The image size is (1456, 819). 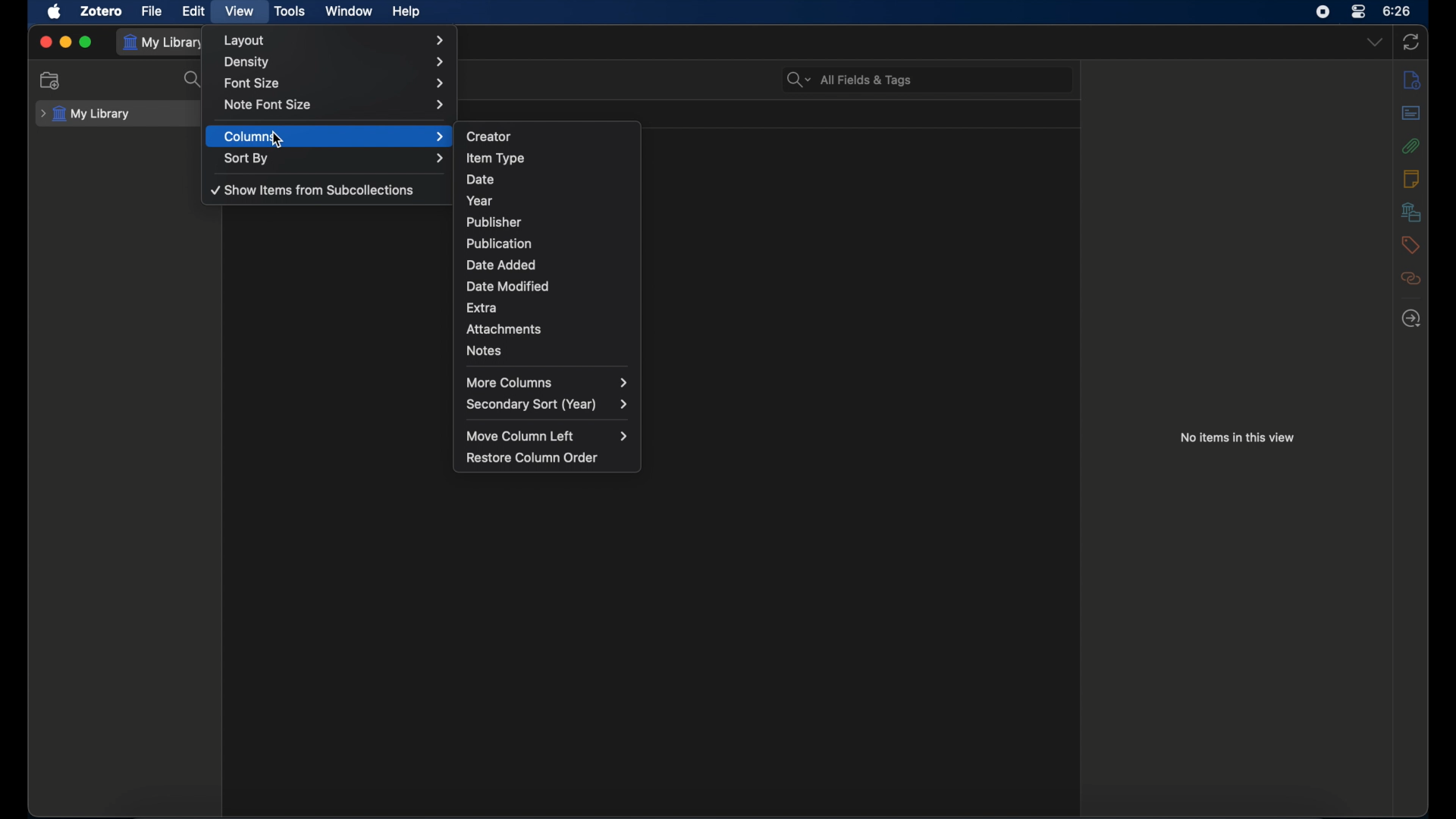 I want to click on date added, so click(x=548, y=266).